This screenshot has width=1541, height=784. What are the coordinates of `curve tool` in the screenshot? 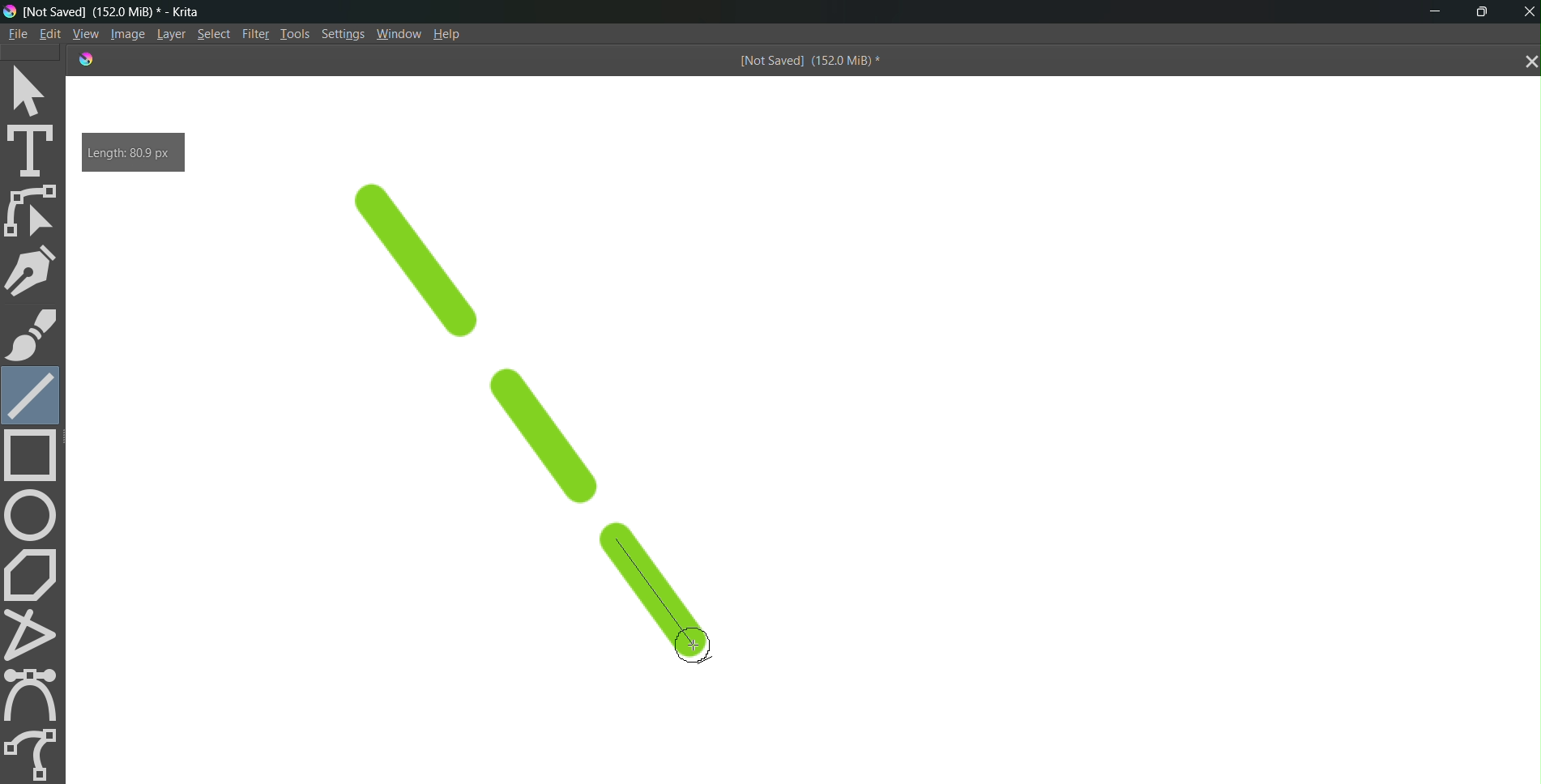 It's located at (36, 694).